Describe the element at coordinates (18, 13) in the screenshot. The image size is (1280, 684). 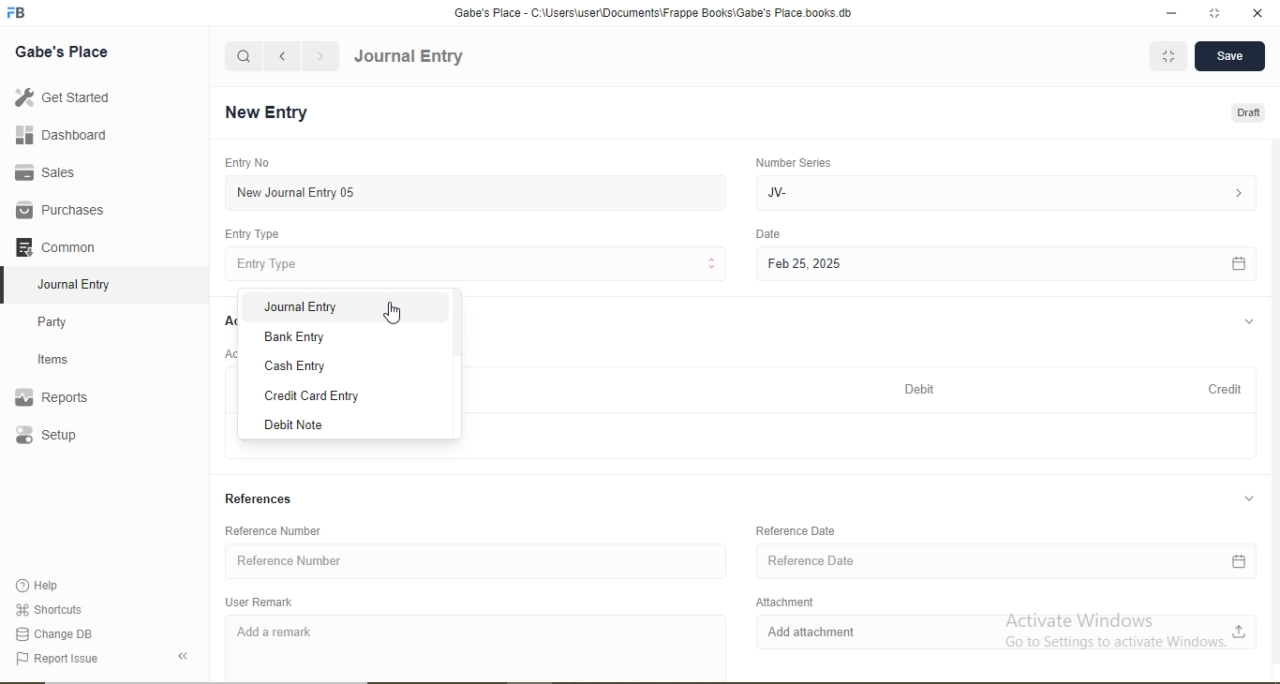
I see `logo` at that location.